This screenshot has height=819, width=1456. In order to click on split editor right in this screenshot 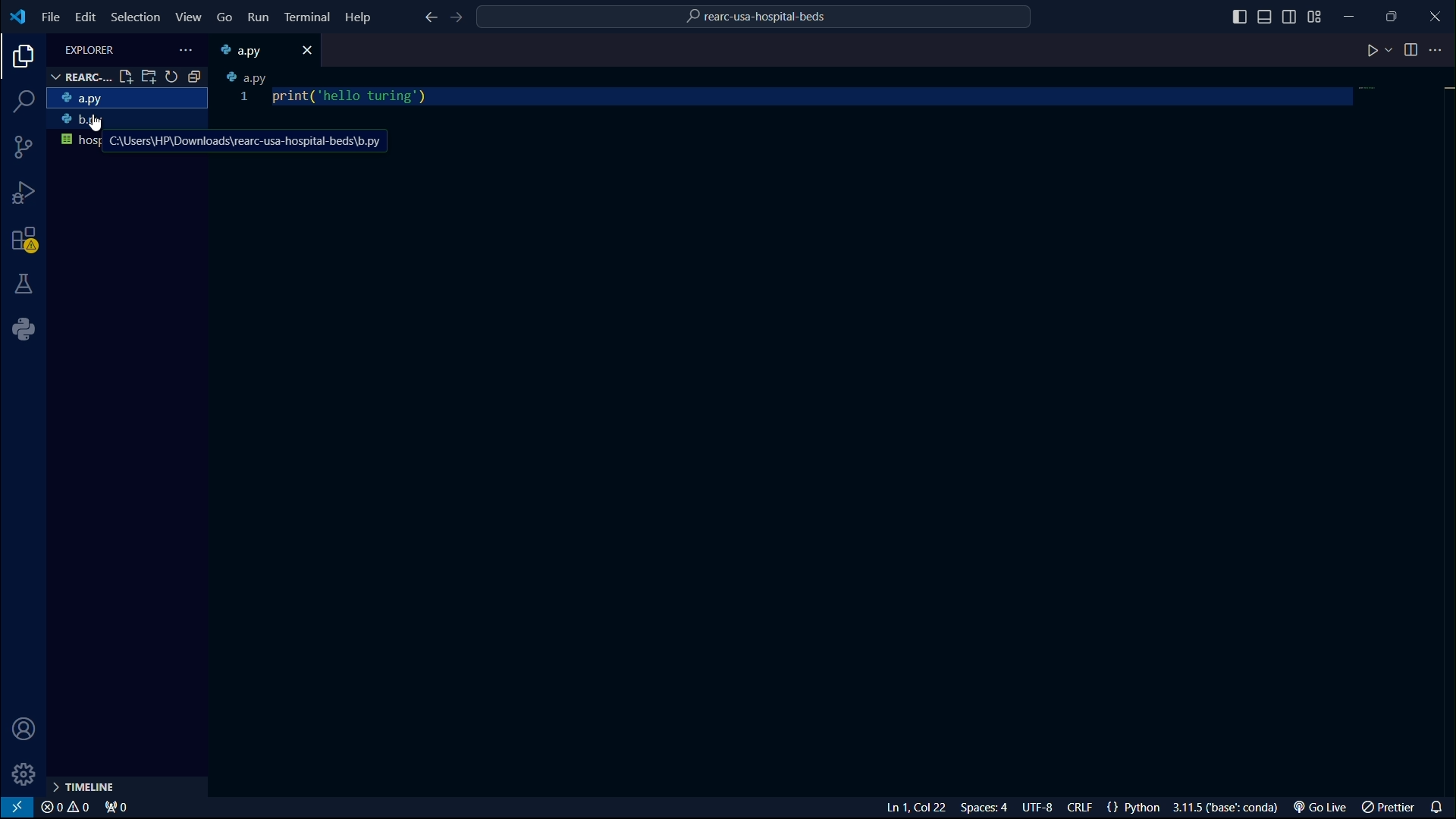, I will do `click(1405, 49)`.